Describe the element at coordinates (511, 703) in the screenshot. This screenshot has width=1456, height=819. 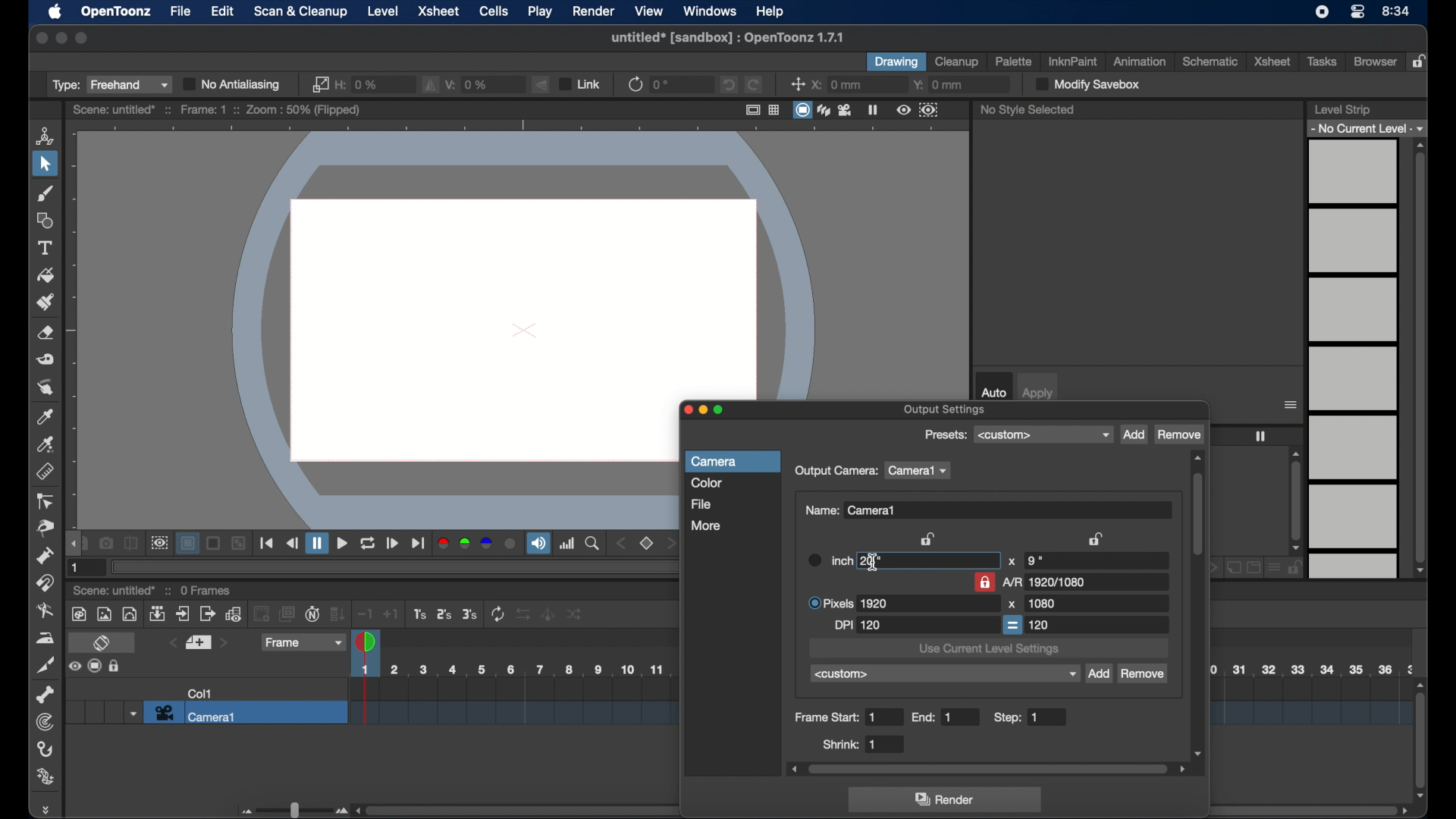
I see `scene` at that location.